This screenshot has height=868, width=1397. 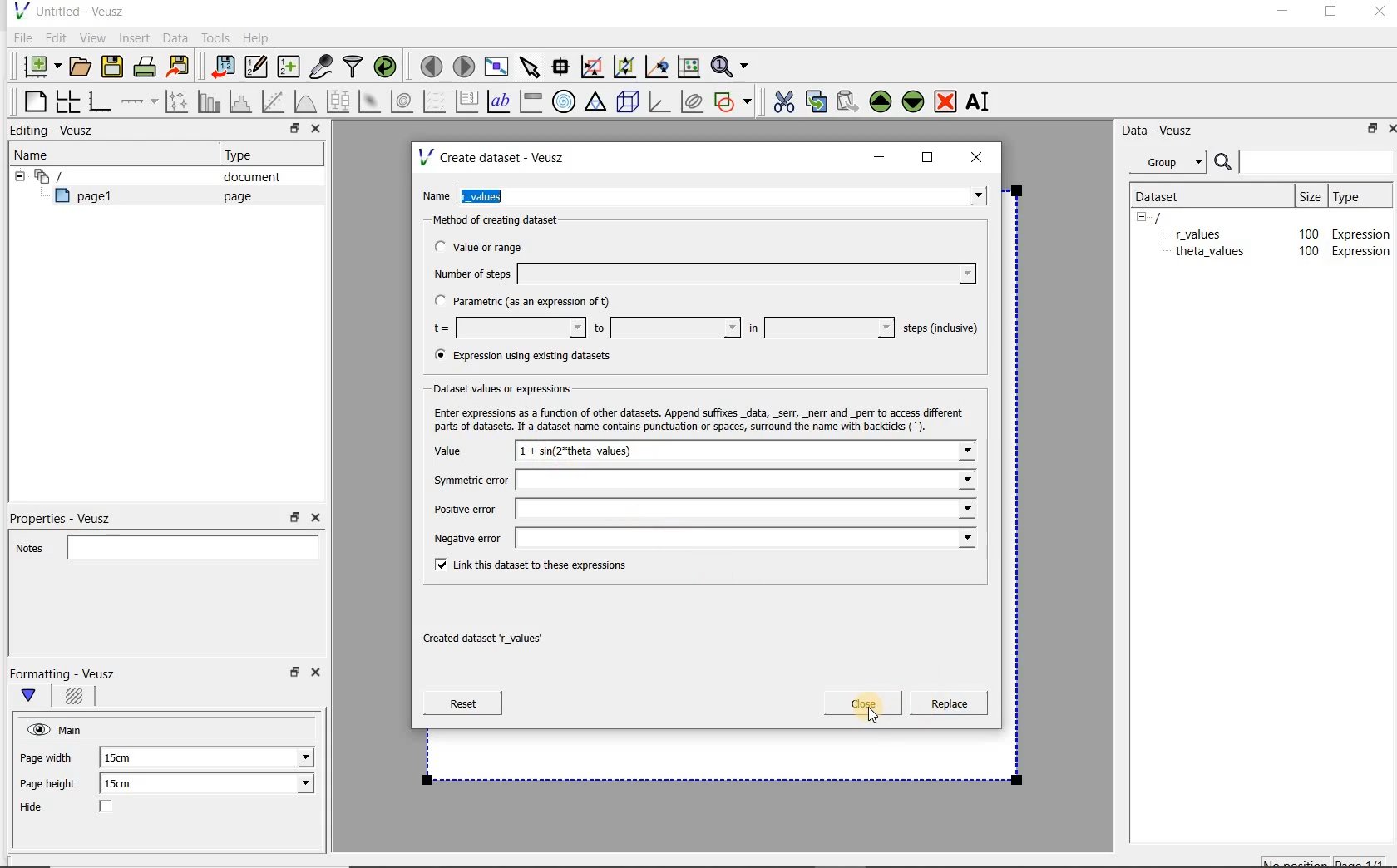 I want to click on Close, so click(x=1389, y=127).